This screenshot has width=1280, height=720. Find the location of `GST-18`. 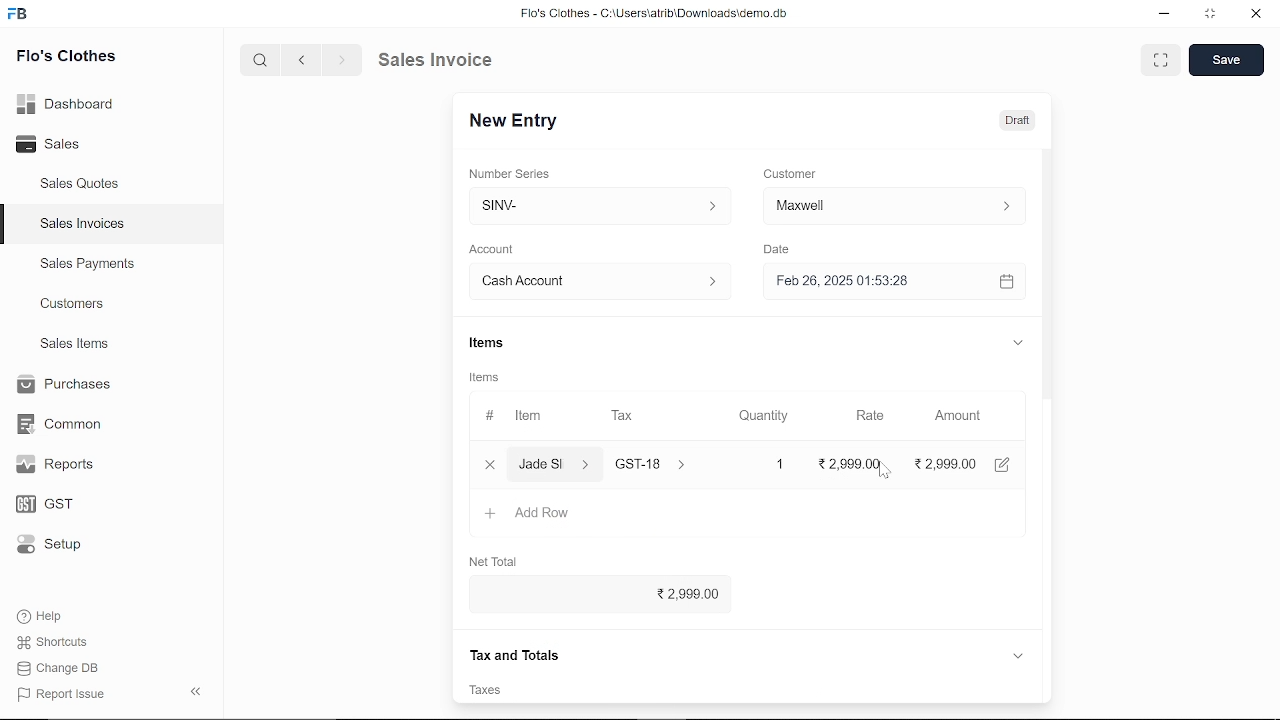

GST-18 is located at coordinates (662, 464).